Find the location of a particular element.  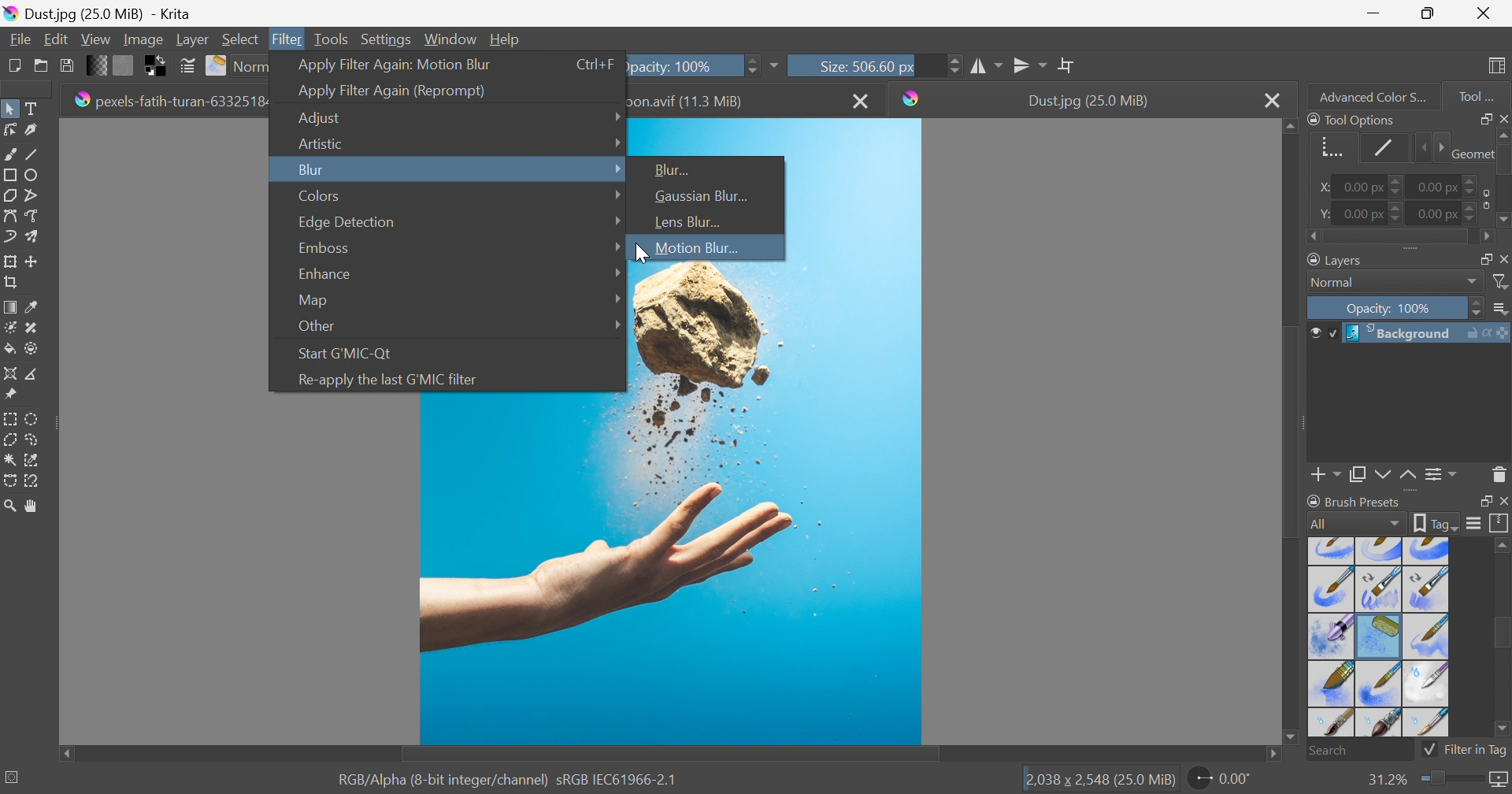

Filter is located at coordinates (289, 39).